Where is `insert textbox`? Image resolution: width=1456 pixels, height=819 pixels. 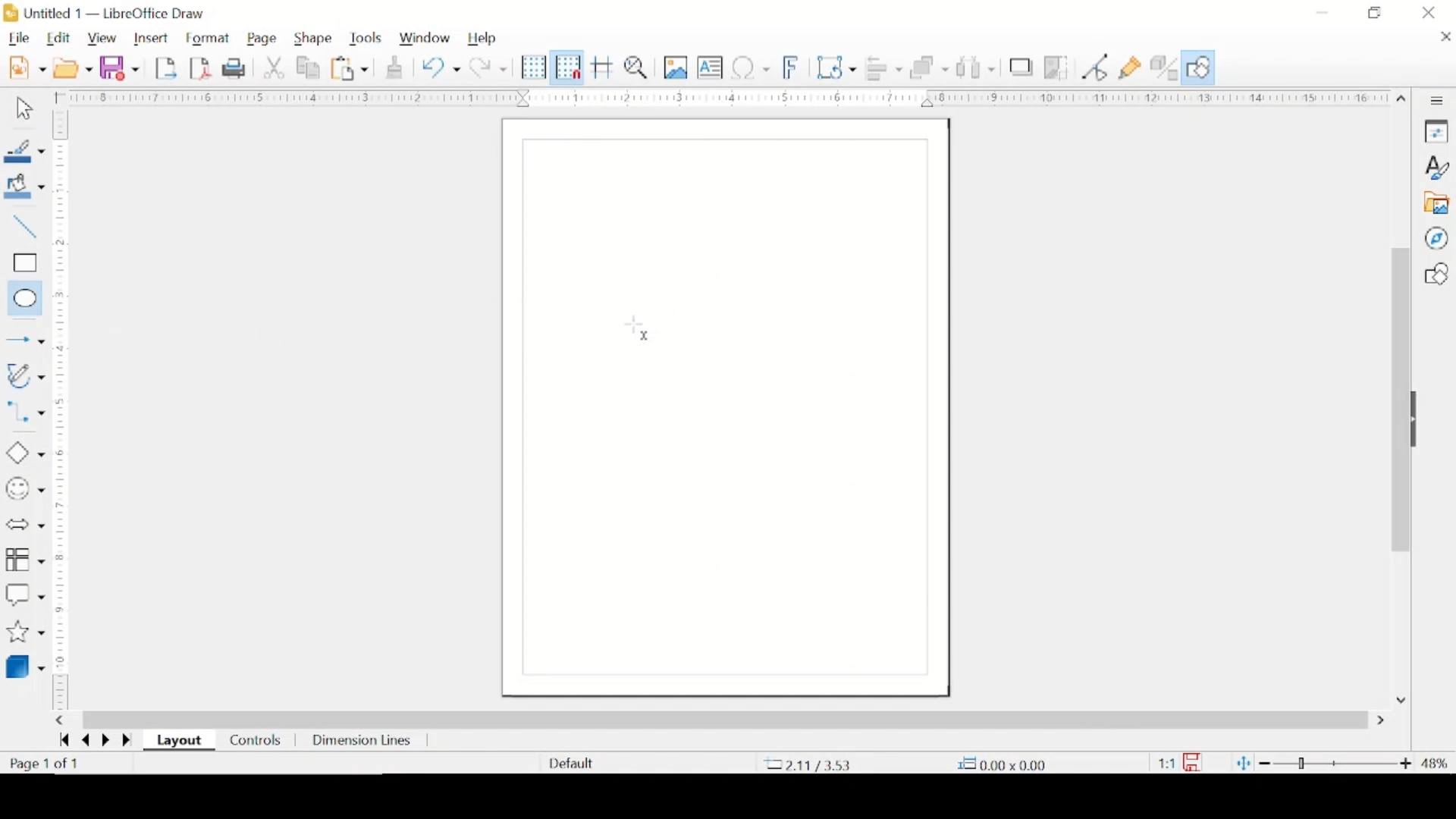 insert textbox is located at coordinates (711, 68).